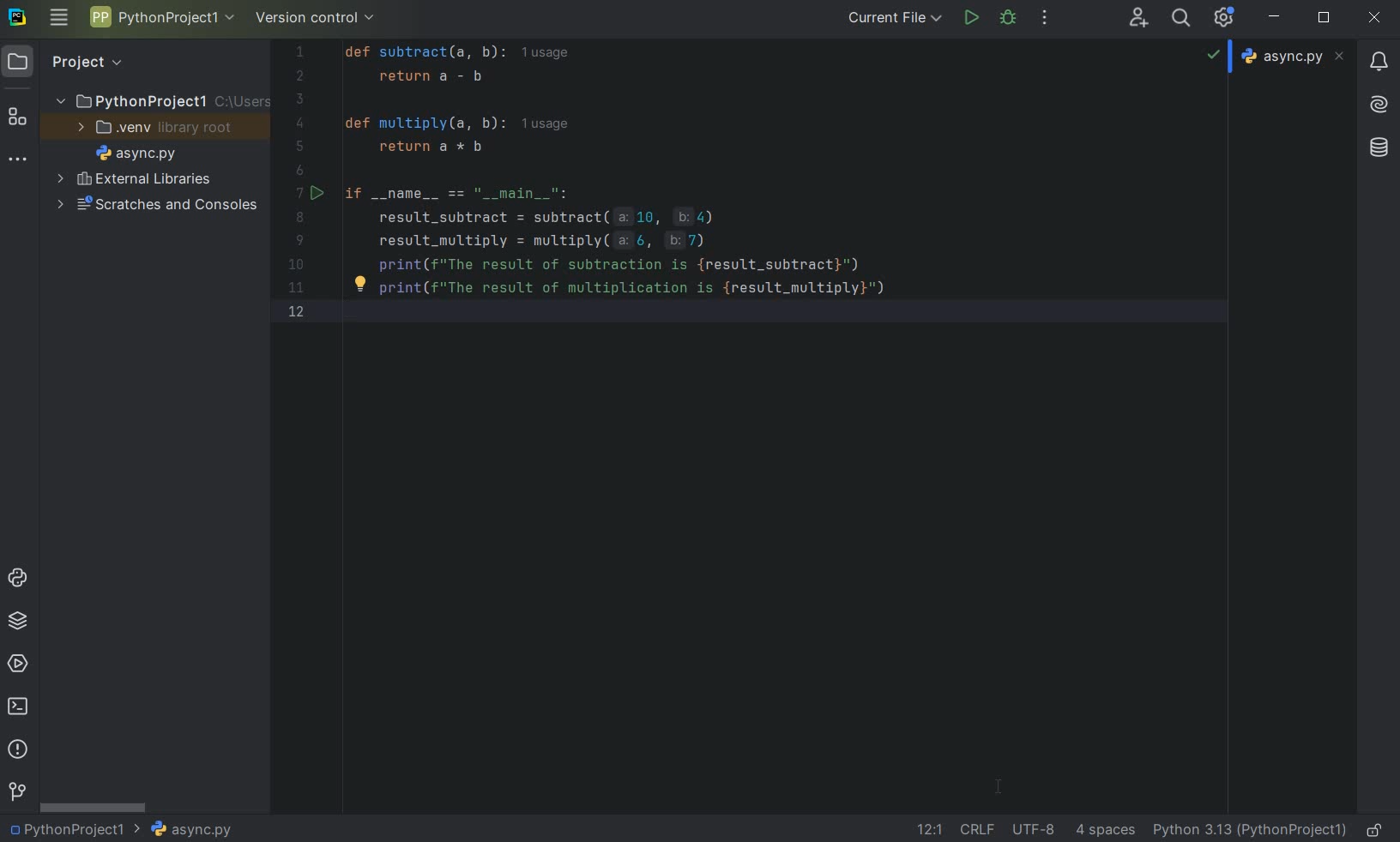 This screenshot has width=1400, height=842. Describe the element at coordinates (142, 181) in the screenshot. I see `external libraries` at that location.